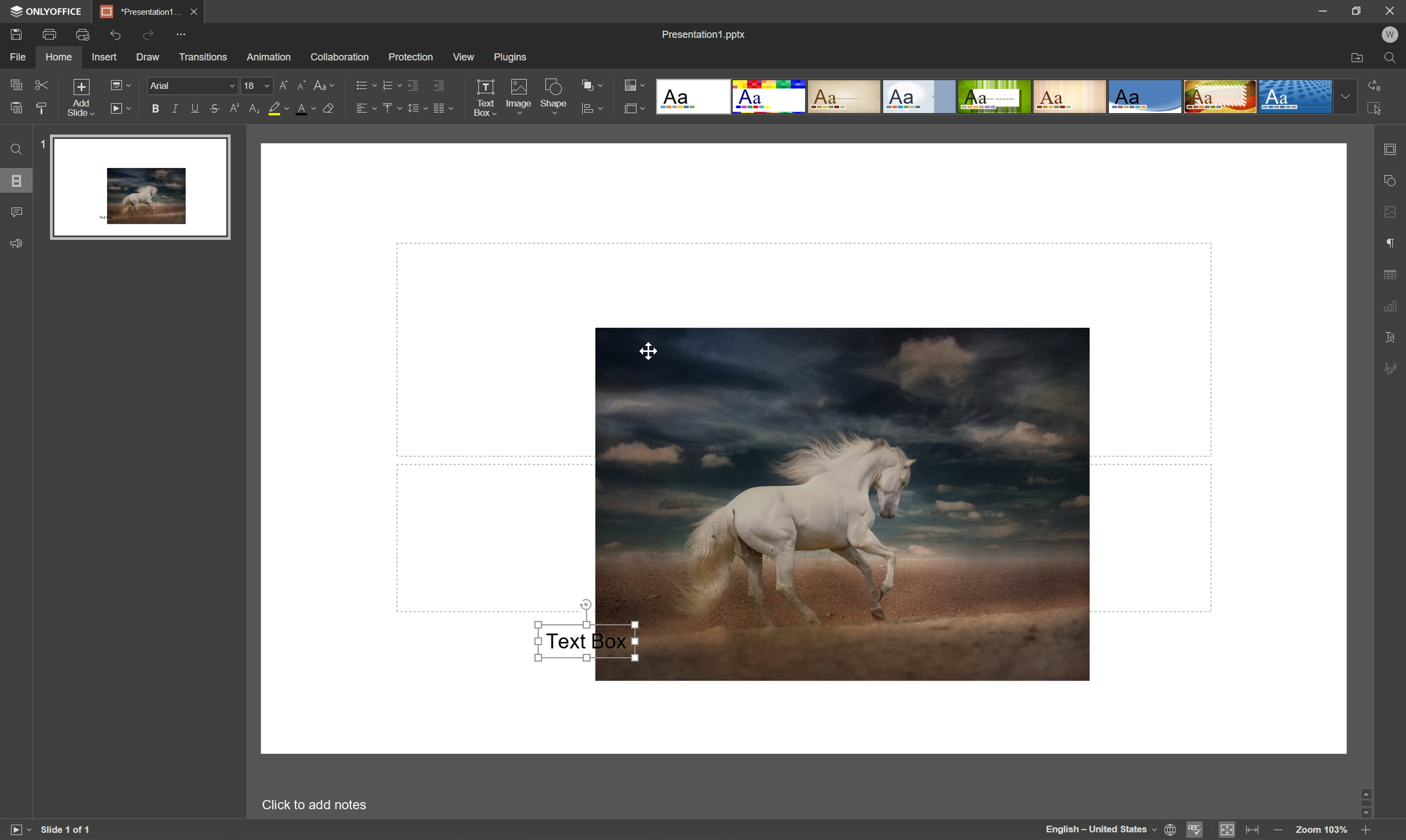 Image resolution: width=1406 pixels, height=840 pixels. What do you see at coordinates (635, 85) in the screenshot?
I see `Change color theme` at bounding box center [635, 85].